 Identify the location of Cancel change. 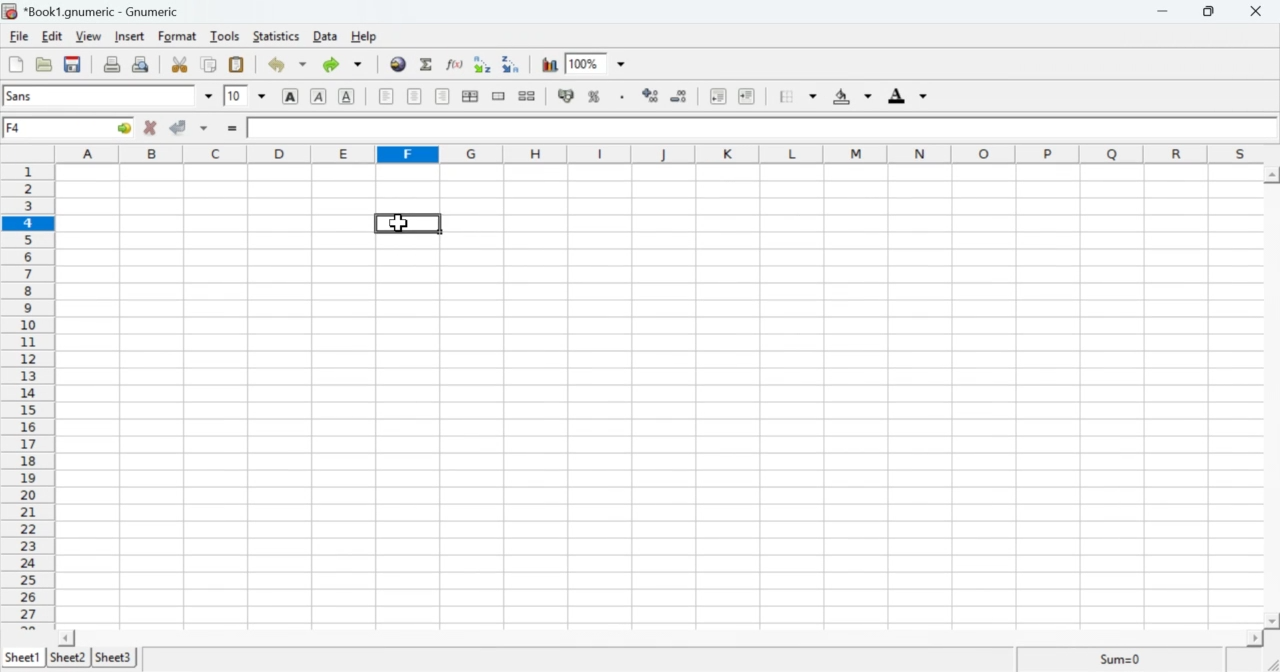
(152, 127).